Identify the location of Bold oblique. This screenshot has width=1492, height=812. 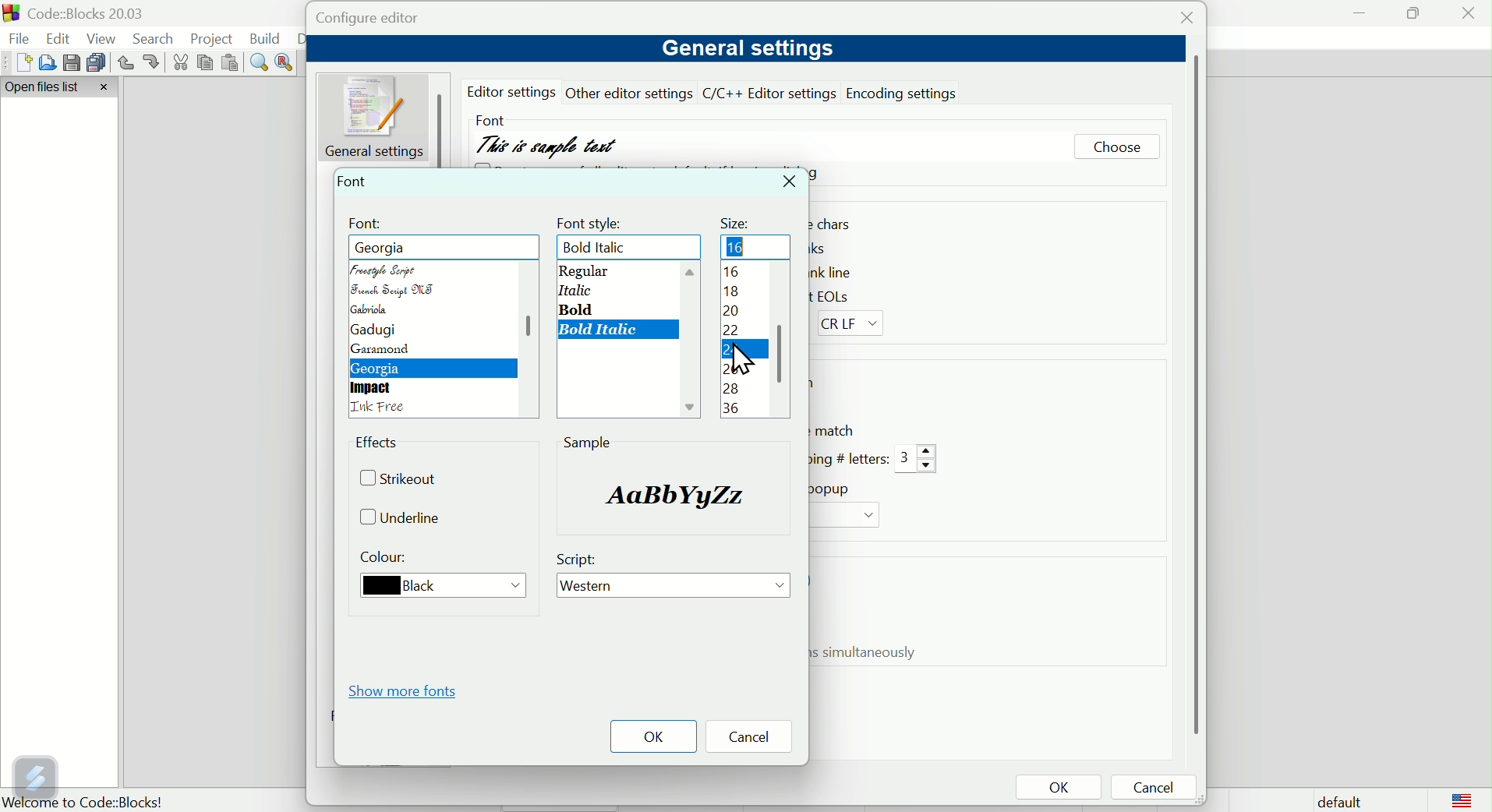
(602, 330).